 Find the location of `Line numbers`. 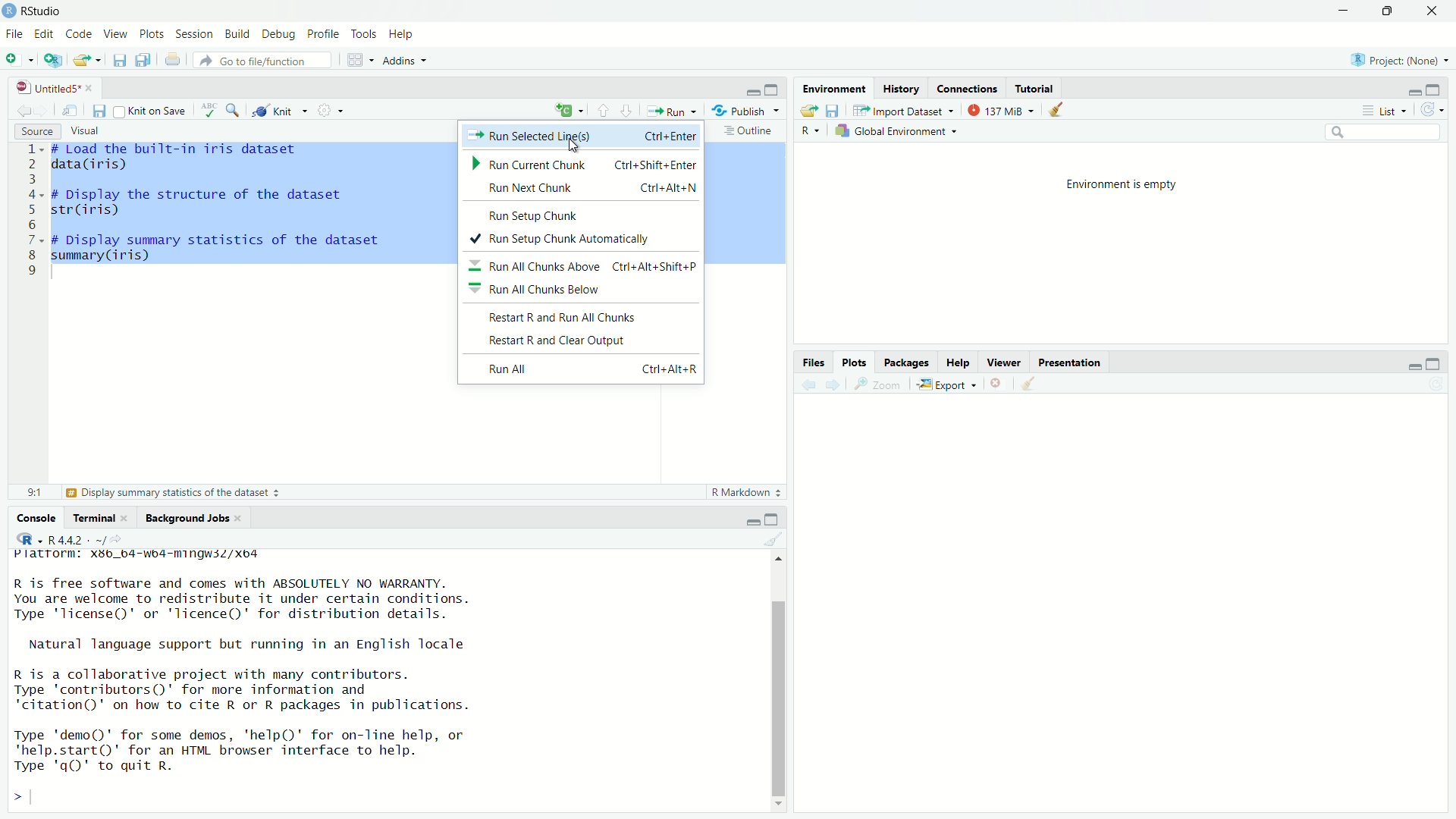

Line numbers is located at coordinates (31, 213).